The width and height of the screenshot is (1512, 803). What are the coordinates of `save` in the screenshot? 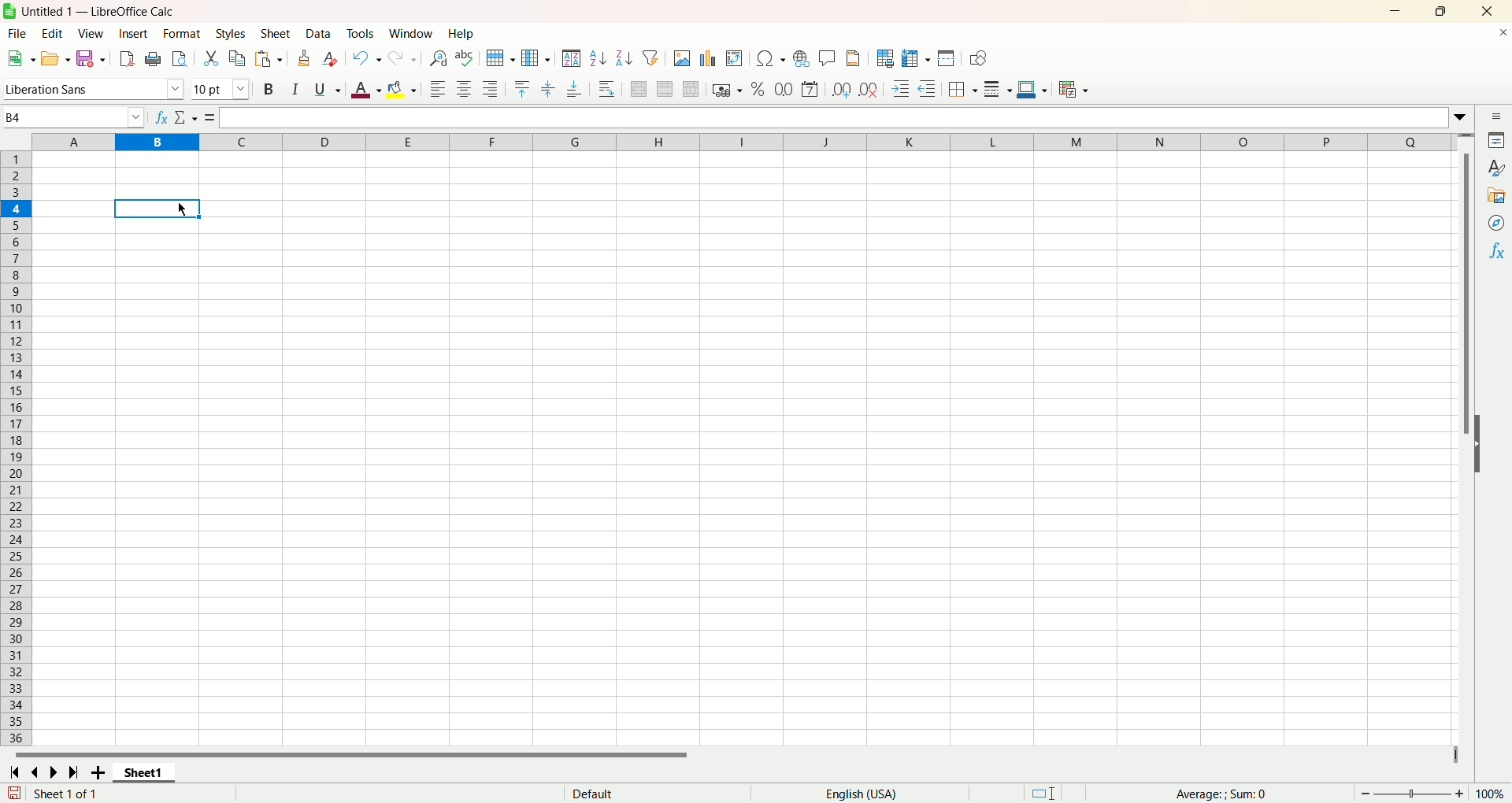 It's located at (90, 58).